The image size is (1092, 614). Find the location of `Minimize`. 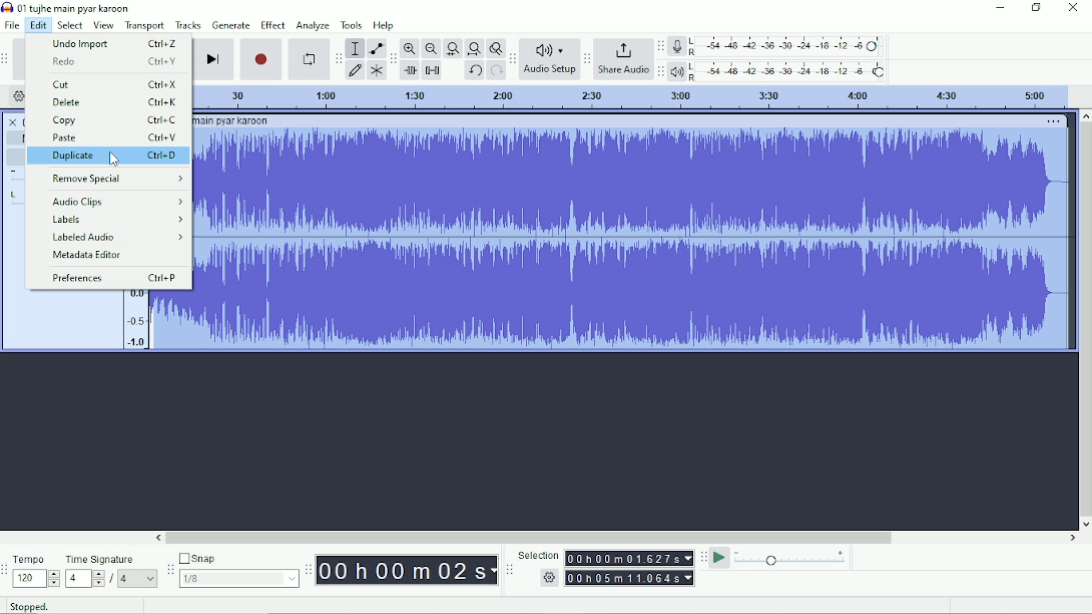

Minimize is located at coordinates (998, 8).